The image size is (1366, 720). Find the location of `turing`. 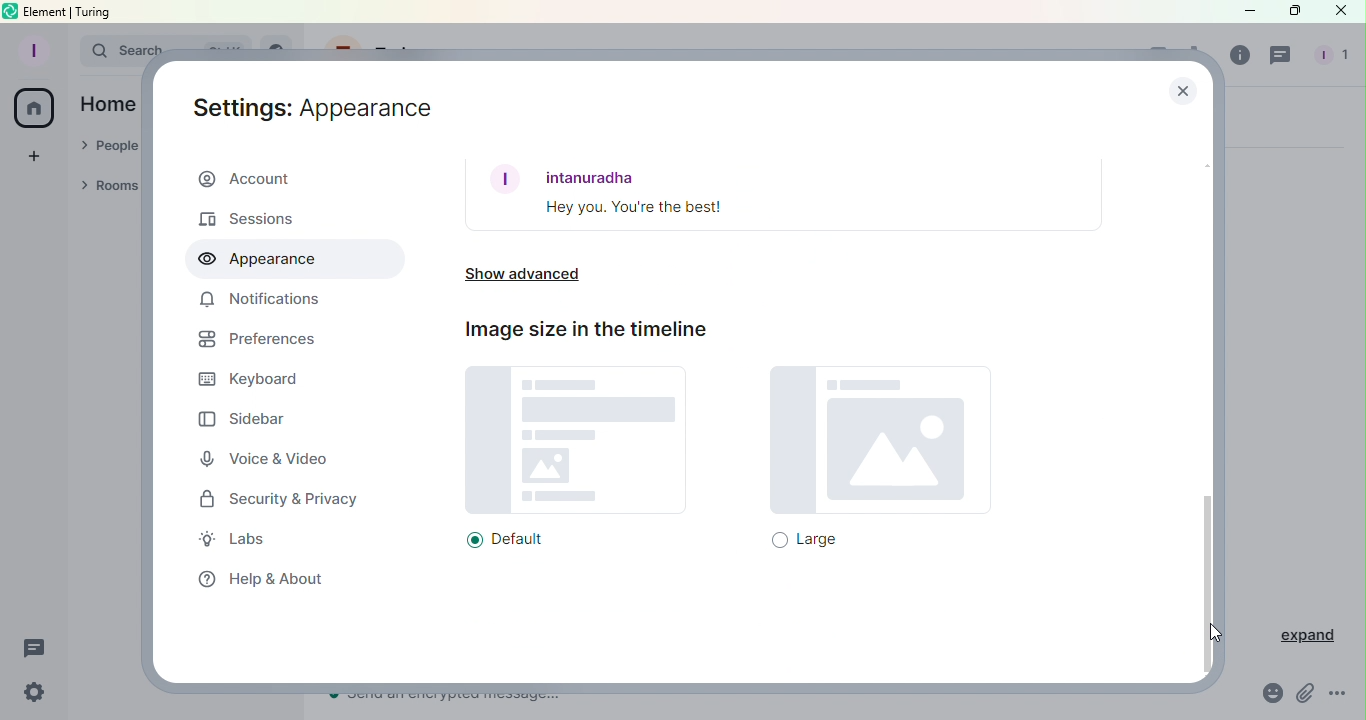

turing is located at coordinates (94, 11).